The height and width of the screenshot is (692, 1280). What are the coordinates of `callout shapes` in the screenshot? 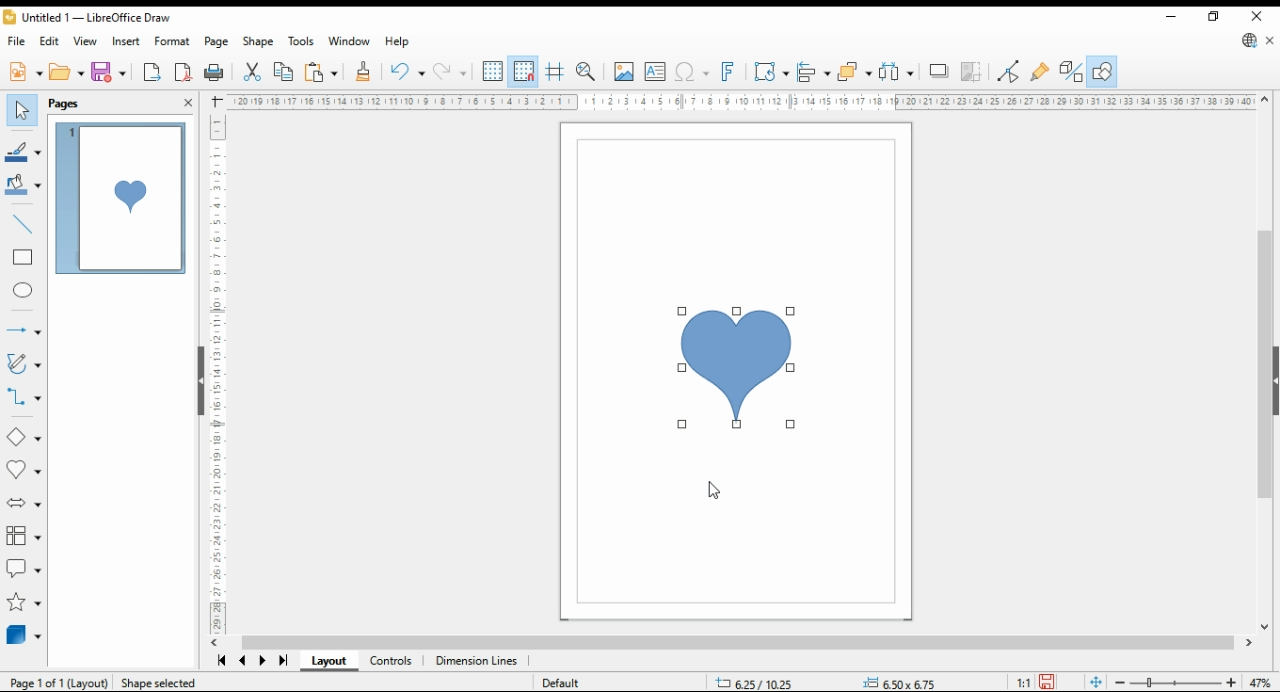 It's located at (24, 564).